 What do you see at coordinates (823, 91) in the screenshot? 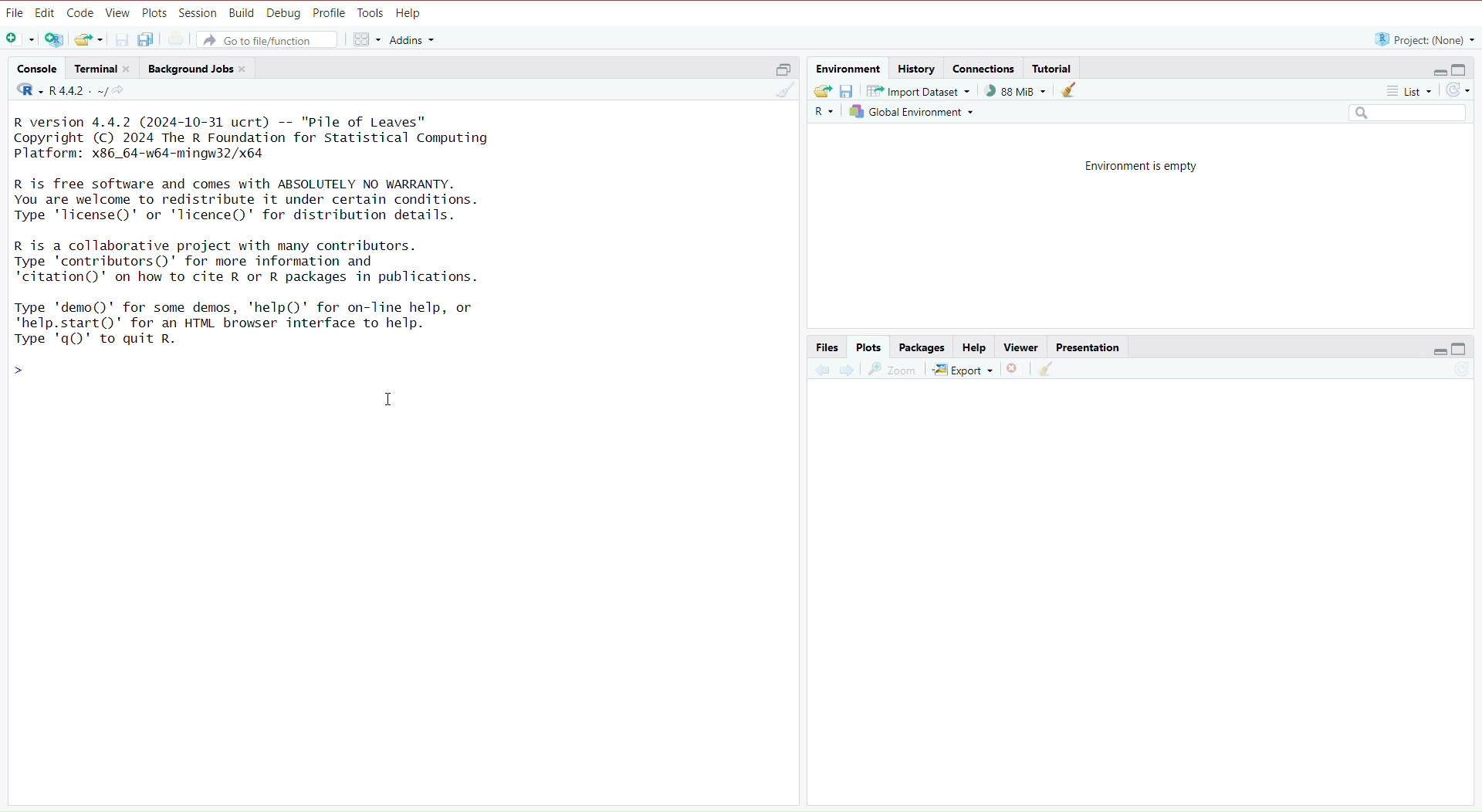
I see `load workspace` at bounding box center [823, 91].